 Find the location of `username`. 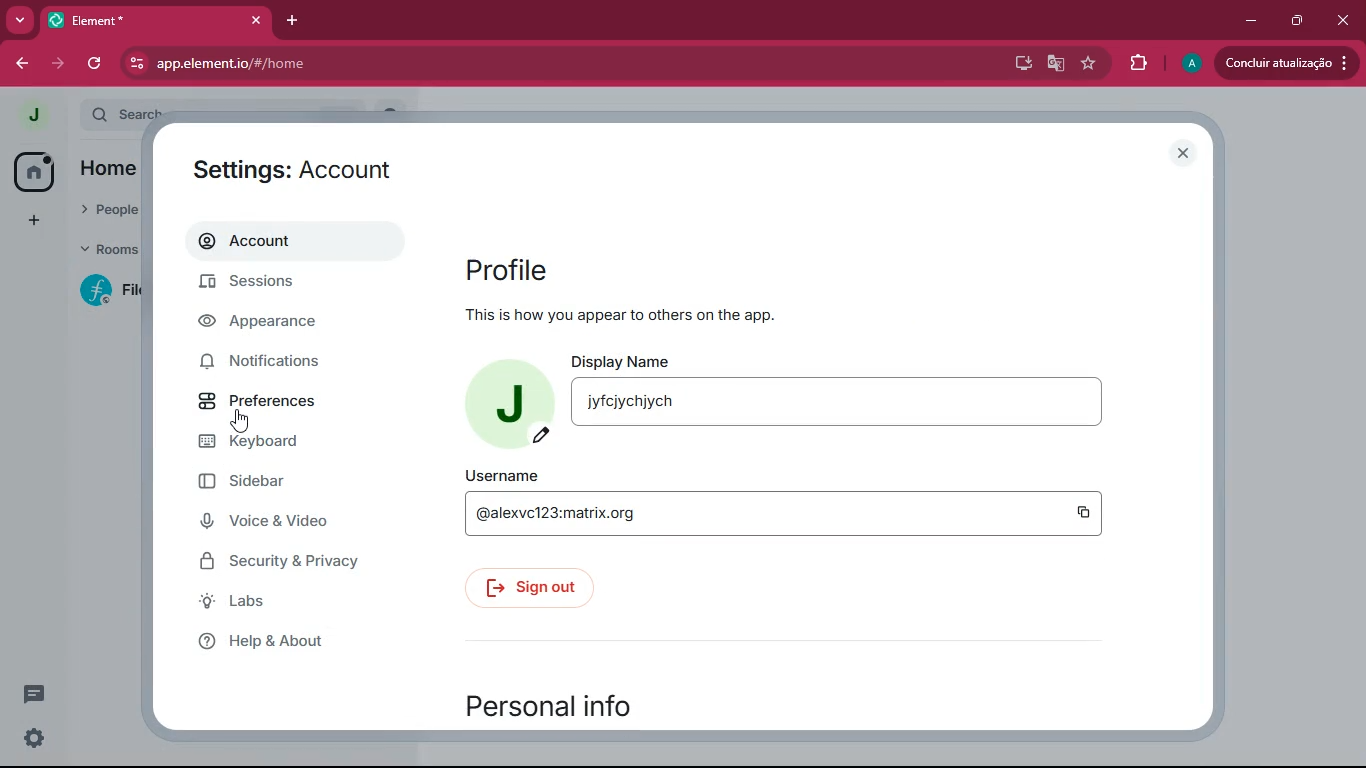

username is located at coordinates (499, 474).